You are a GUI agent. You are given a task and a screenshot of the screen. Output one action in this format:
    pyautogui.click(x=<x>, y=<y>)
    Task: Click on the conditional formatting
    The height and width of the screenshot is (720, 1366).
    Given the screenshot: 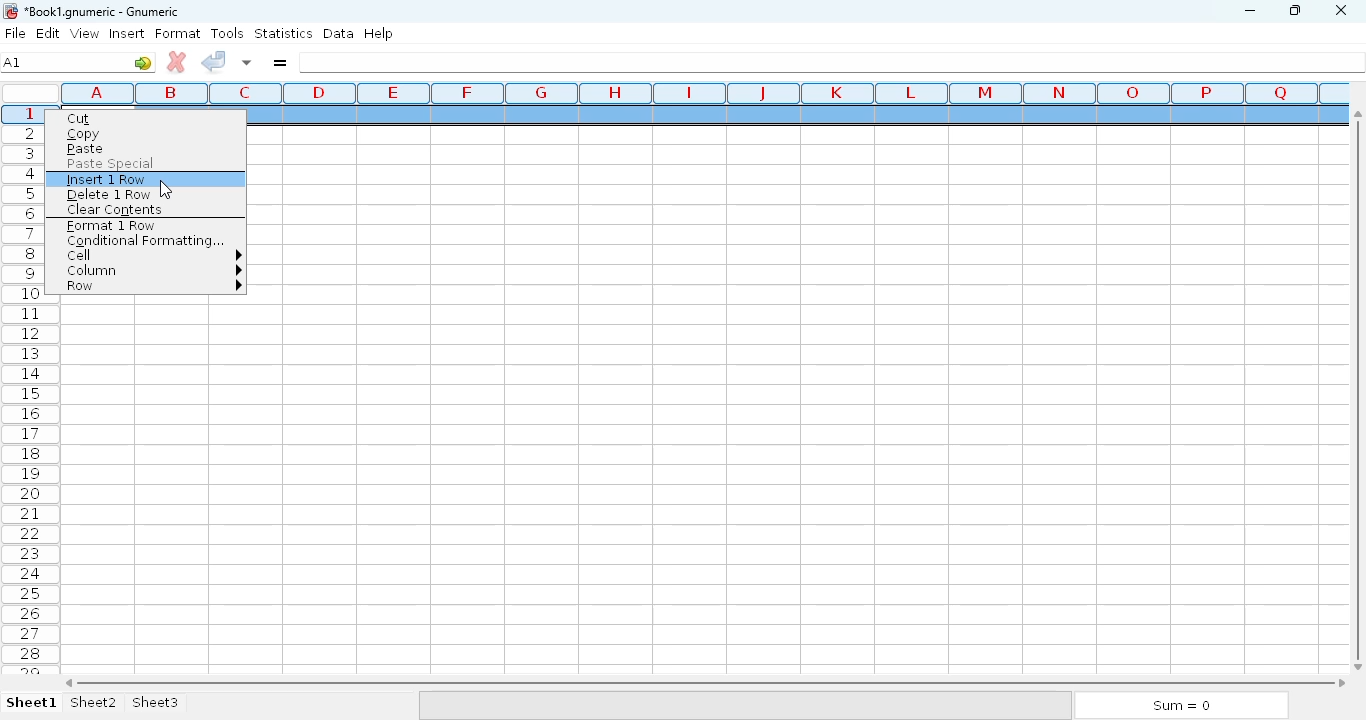 What is the action you would take?
    pyautogui.click(x=143, y=241)
    